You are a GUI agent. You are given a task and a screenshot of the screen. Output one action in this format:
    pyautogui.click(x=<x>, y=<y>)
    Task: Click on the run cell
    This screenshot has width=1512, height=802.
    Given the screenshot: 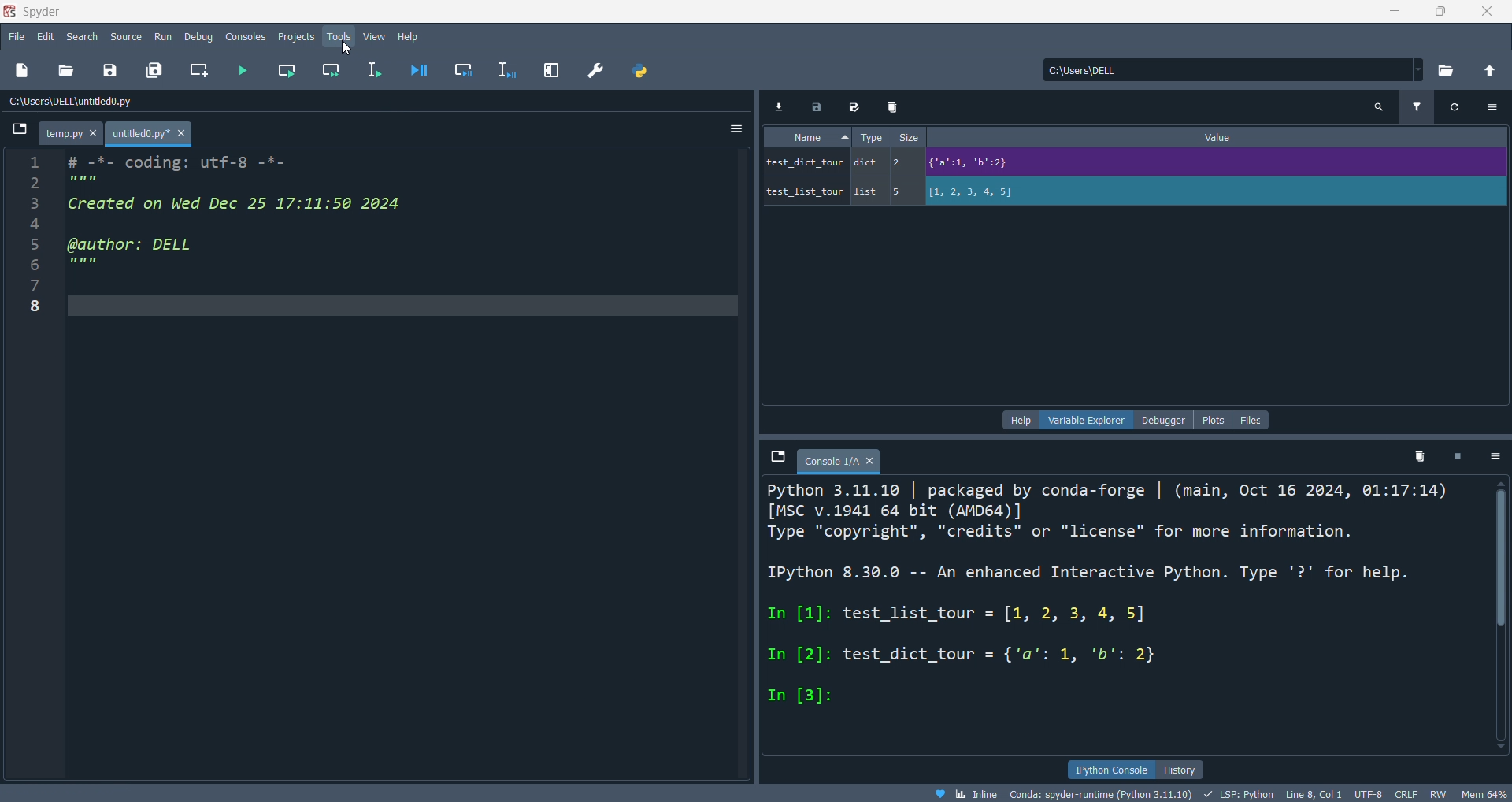 What is the action you would take?
    pyautogui.click(x=290, y=70)
    